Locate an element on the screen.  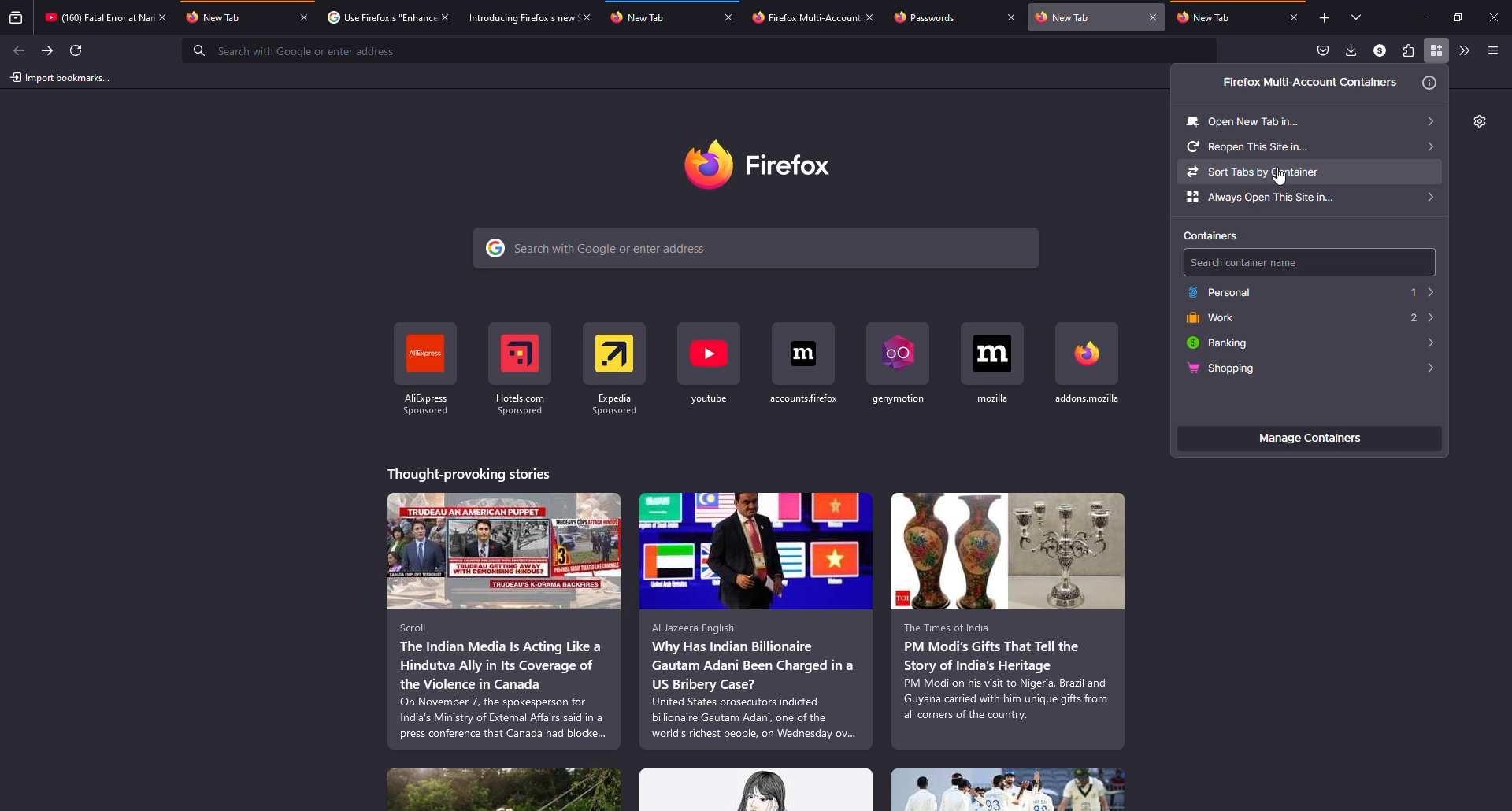
tab is located at coordinates (235, 17).